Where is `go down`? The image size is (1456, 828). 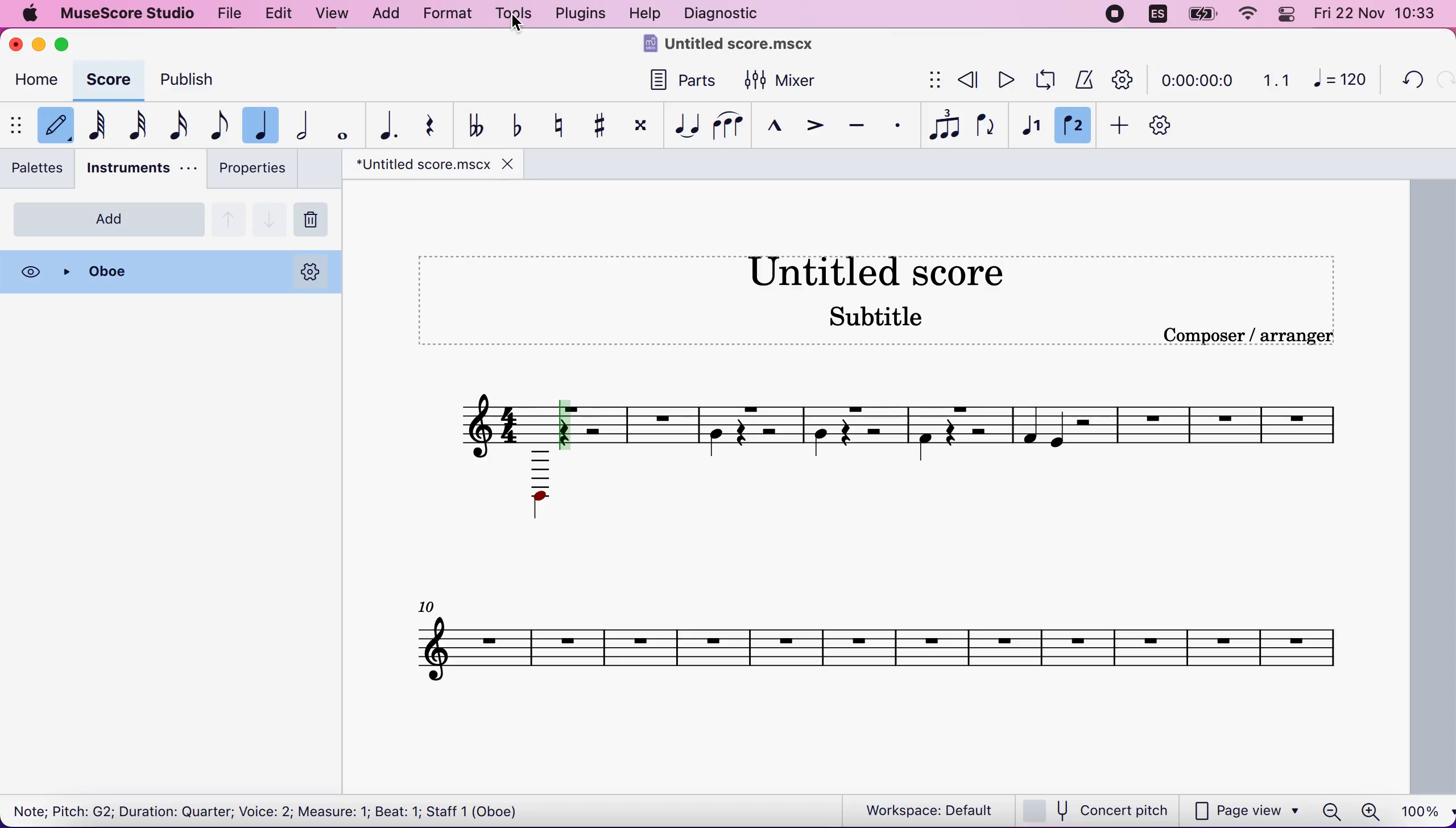 go down is located at coordinates (270, 218).